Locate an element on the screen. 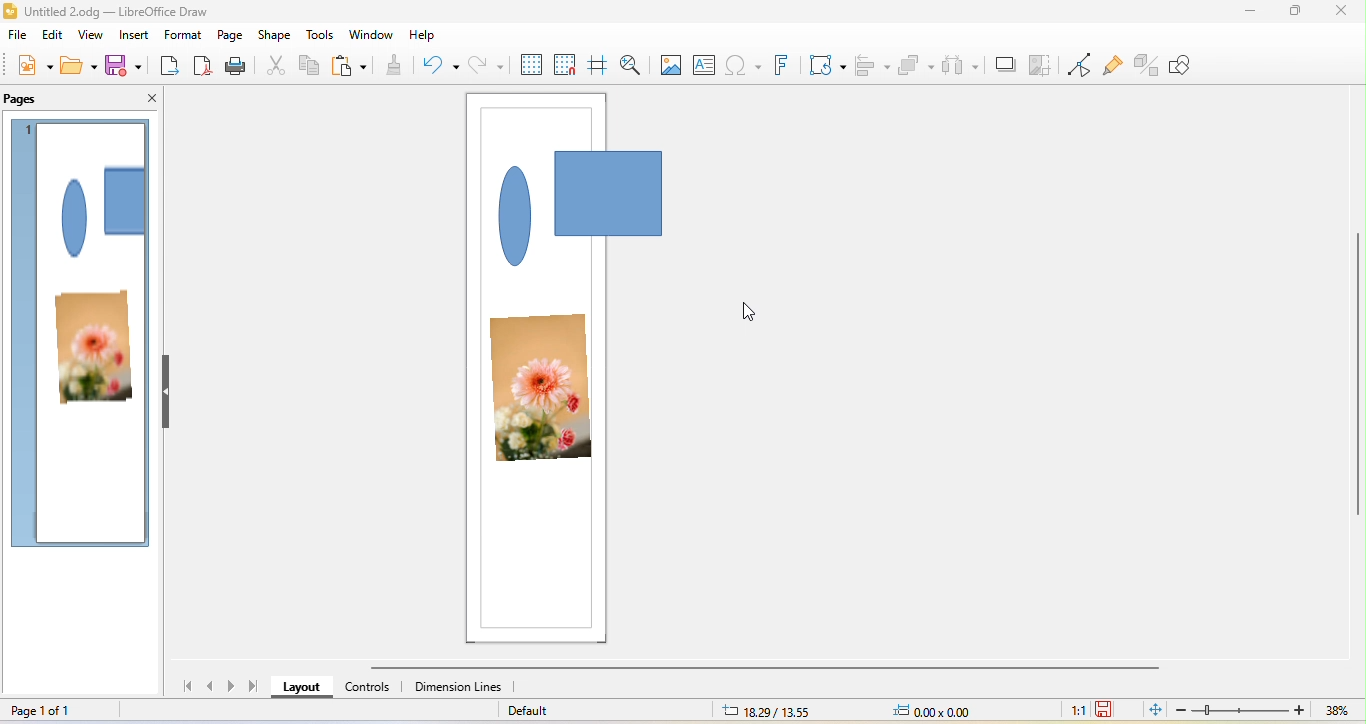 This screenshot has width=1366, height=724. last page is located at coordinates (255, 688).